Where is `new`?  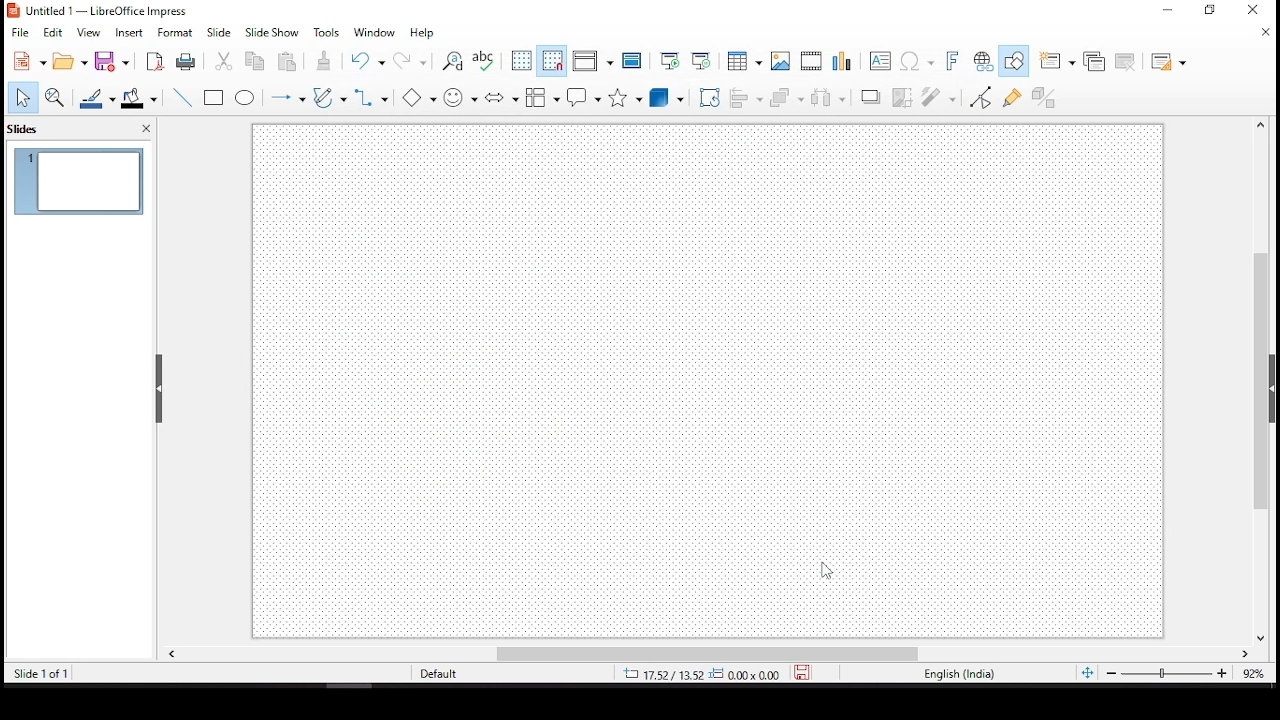 new is located at coordinates (25, 62).